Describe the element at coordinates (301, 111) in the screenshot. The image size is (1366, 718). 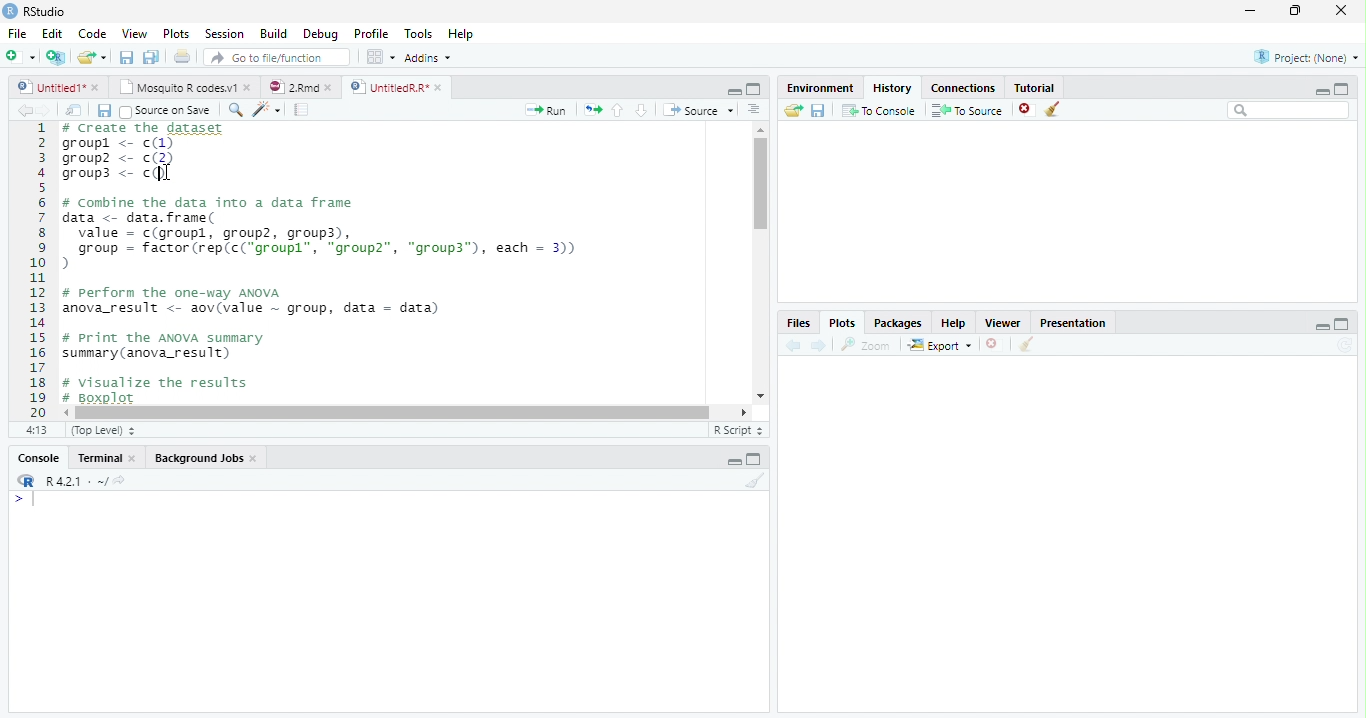
I see `Pages` at that location.